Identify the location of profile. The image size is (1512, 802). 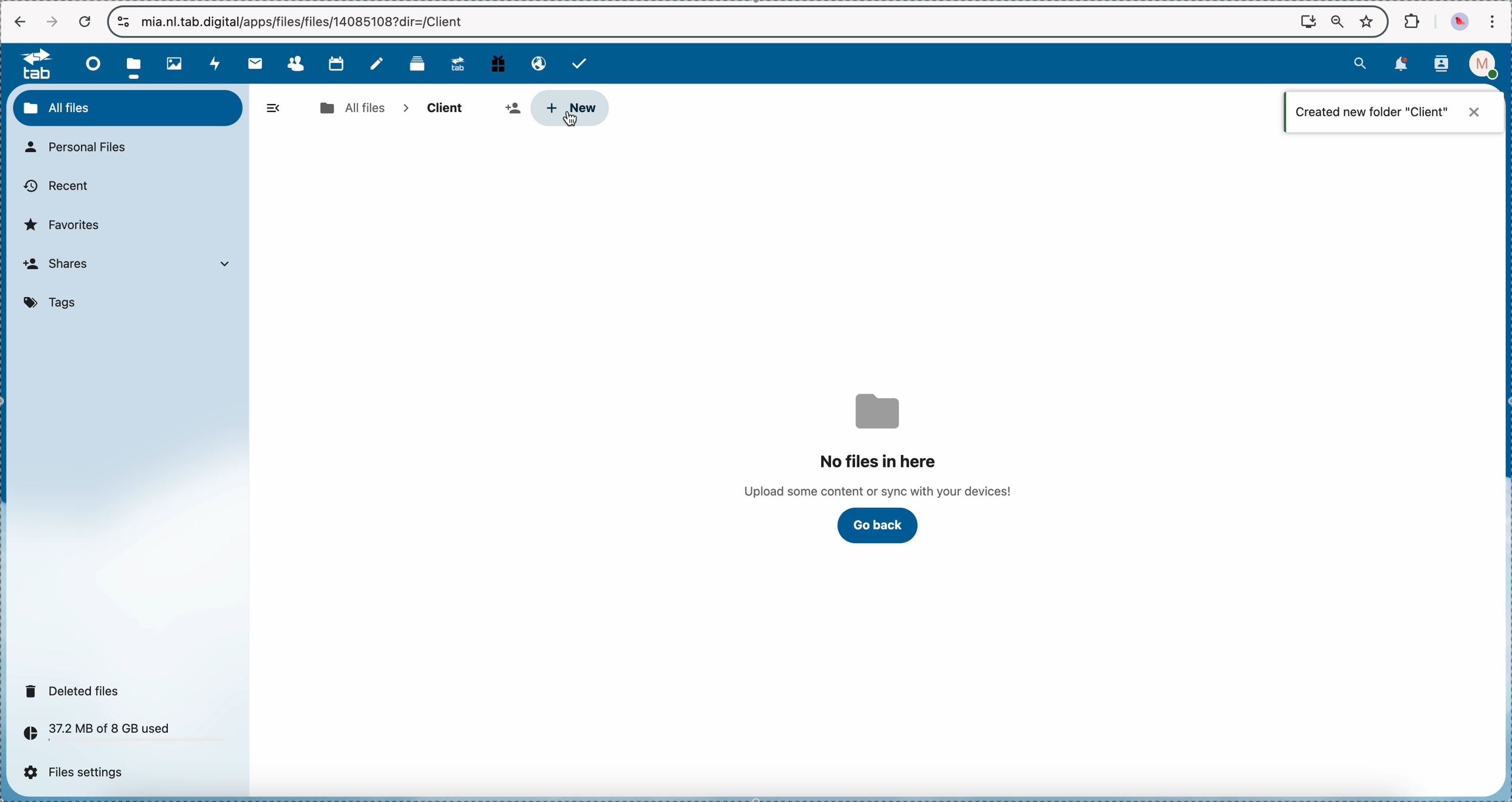
(1487, 65).